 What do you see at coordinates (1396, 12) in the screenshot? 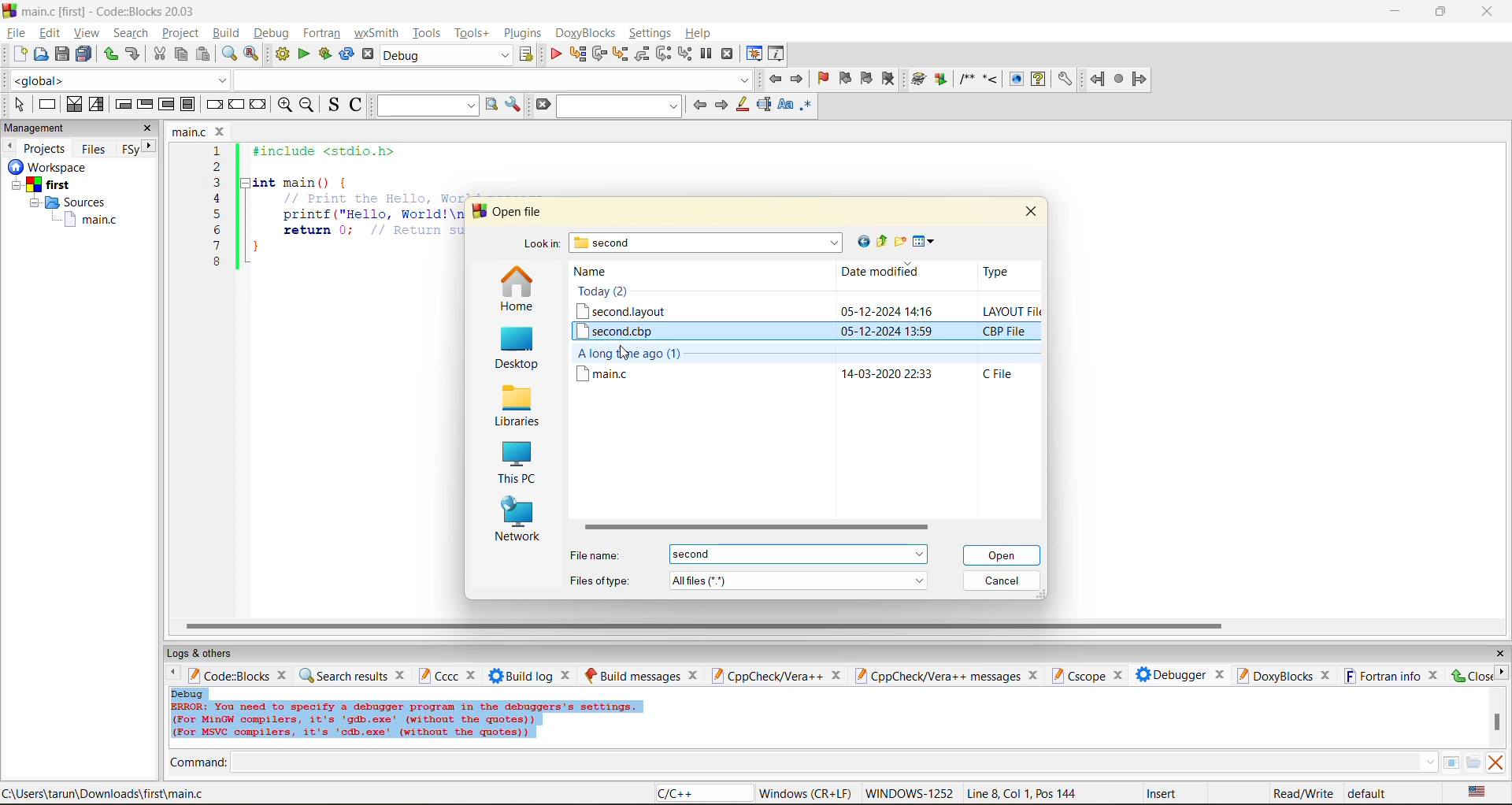
I see `minimize` at bounding box center [1396, 12].